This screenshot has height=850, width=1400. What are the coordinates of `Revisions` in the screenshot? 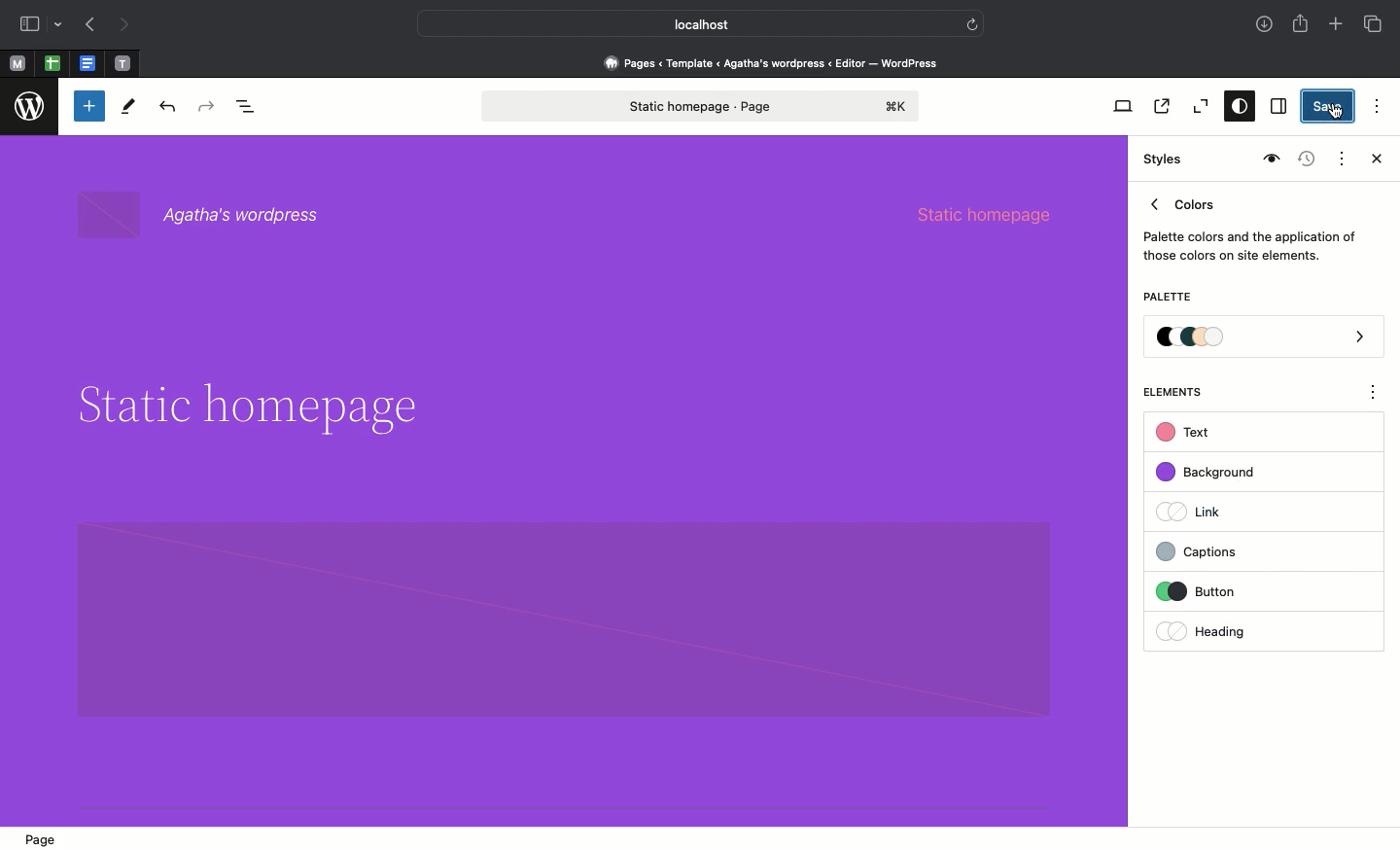 It's located at (1304, 160).